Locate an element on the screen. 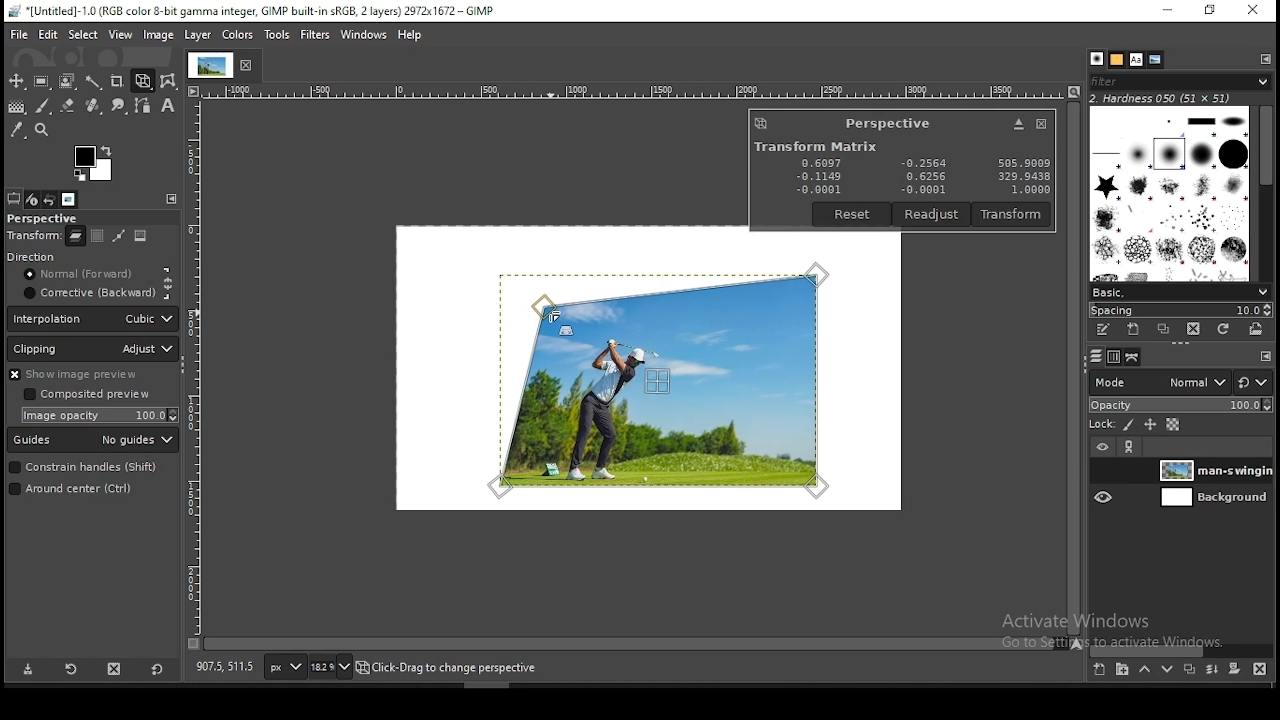 The height and width of the screenshot is (720, 1280). brushes filter is located at coordinates (1180, 81).